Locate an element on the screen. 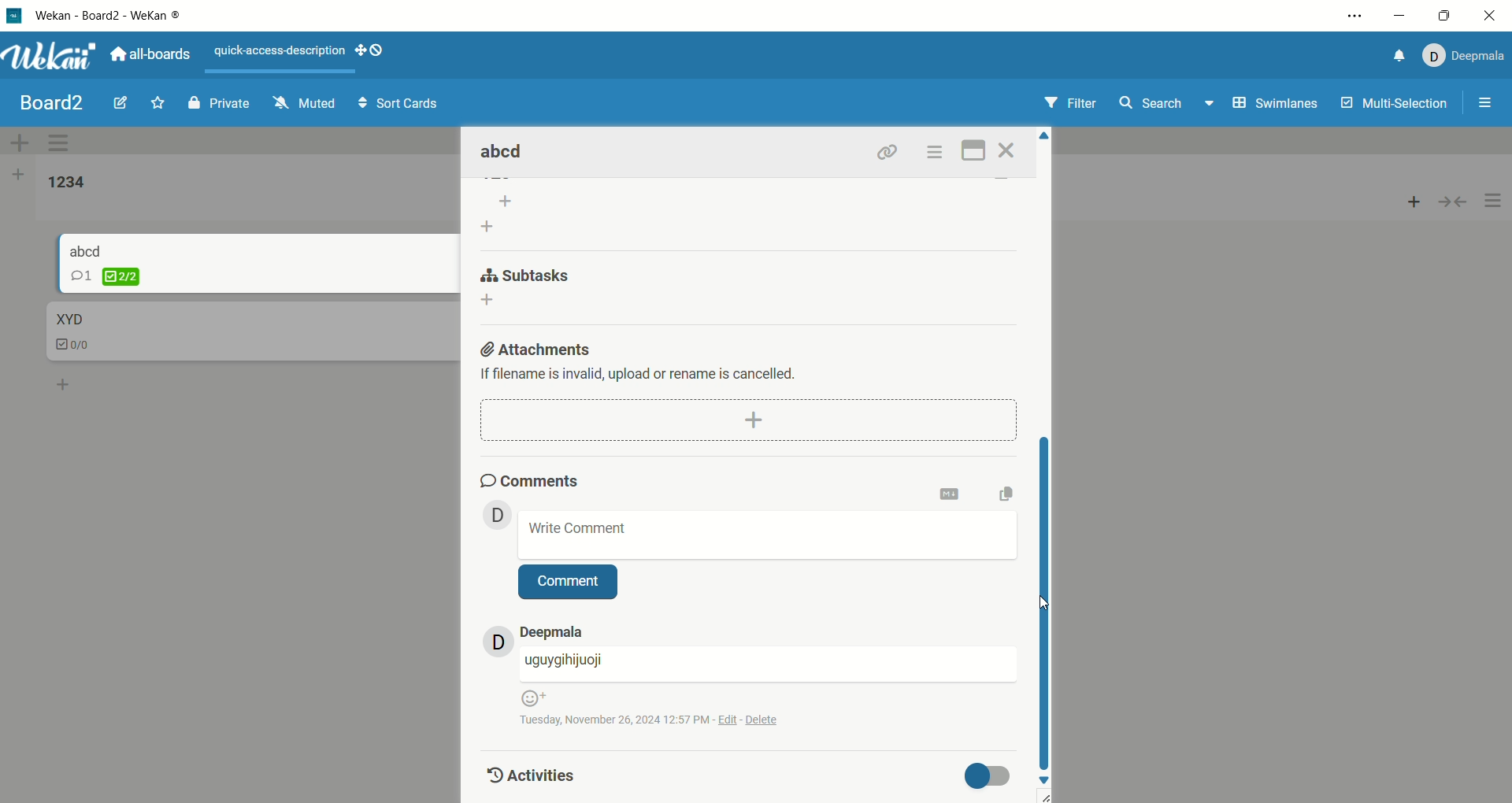 This screenshot has width=1512, height=803. edit is located at coordinates (120, 101).